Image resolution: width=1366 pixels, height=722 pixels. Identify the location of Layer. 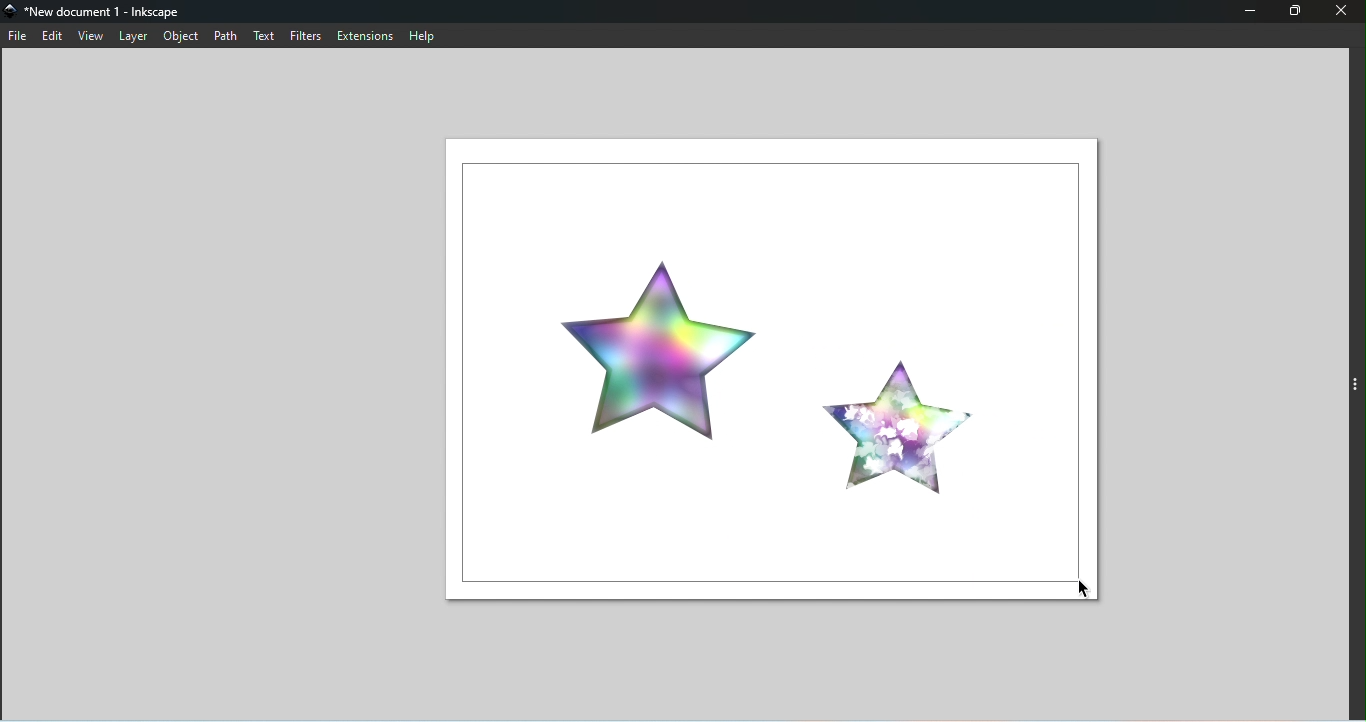
(136, 37).